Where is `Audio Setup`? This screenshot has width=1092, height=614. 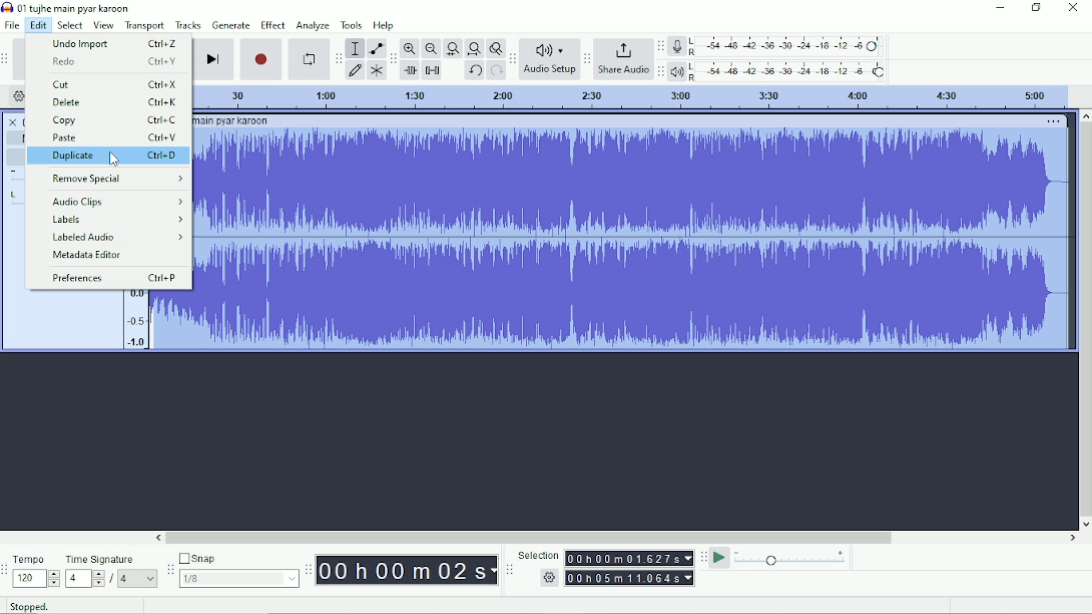
Audio Setup is located at coordinates (549, 59).